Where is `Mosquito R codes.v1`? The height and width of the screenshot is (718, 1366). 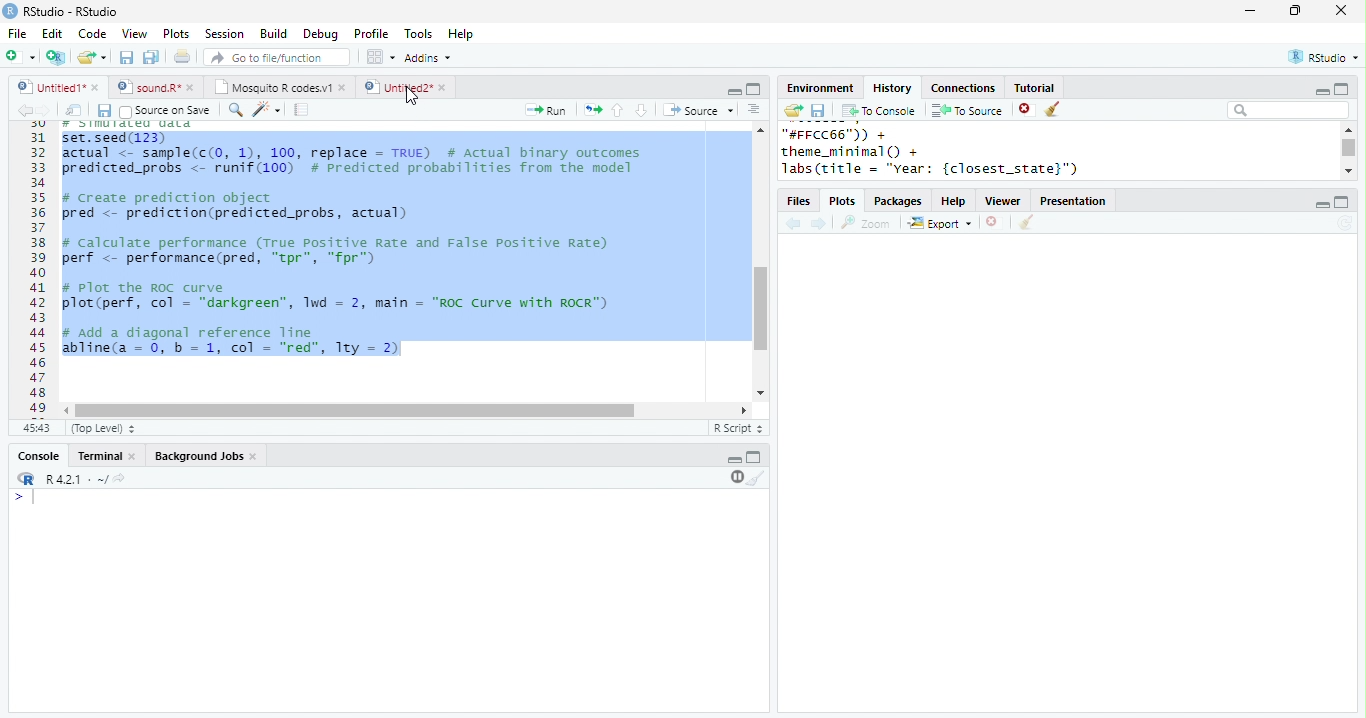
Mosquito R codes.v1 is located at coordinates (273, 87).